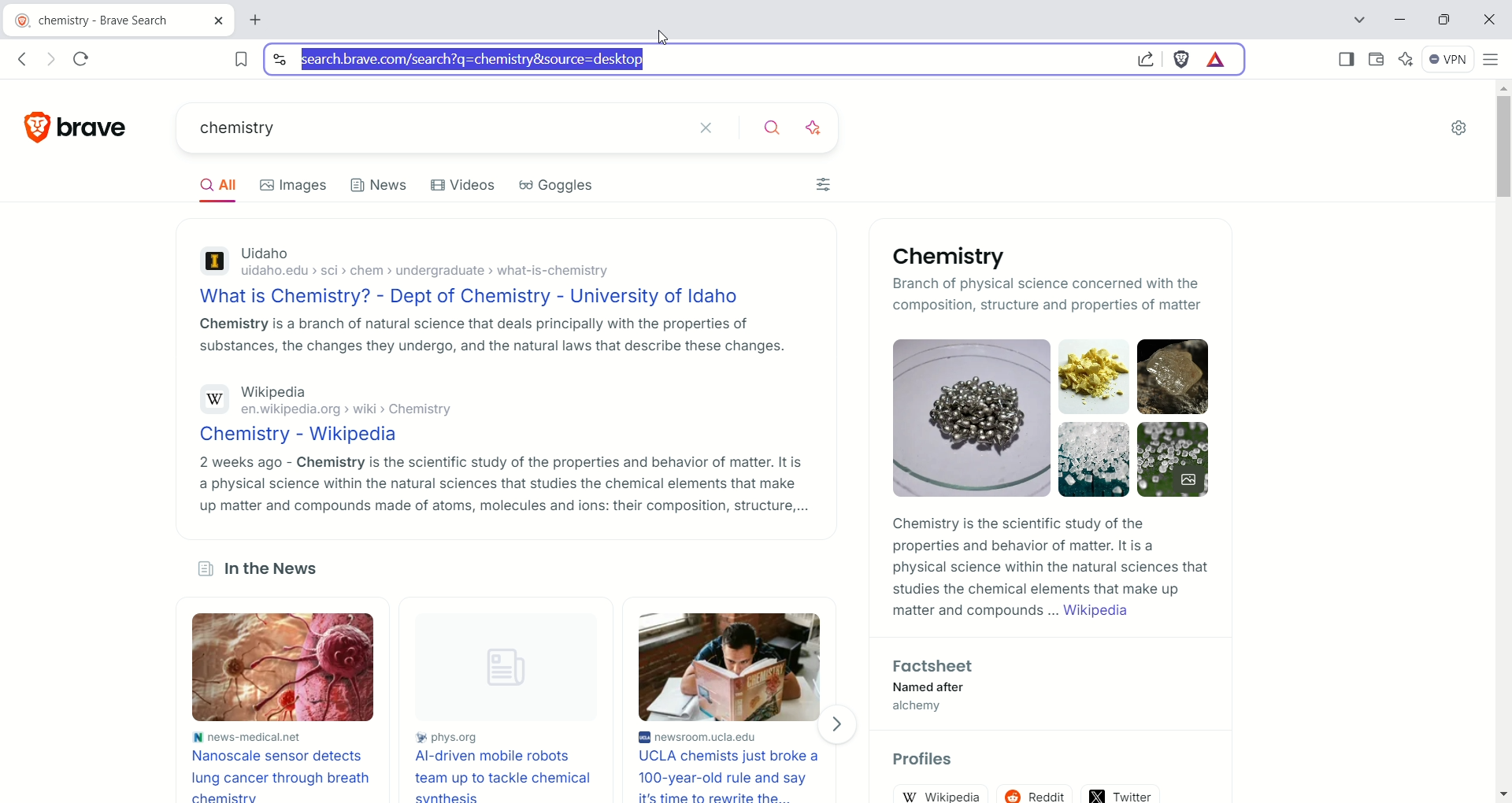 This screenshot has width=1512, height=803. What do you see at coordinates (1358, 20) in the screenshot?
I see `search tab` at bounding box center [1358, 20].